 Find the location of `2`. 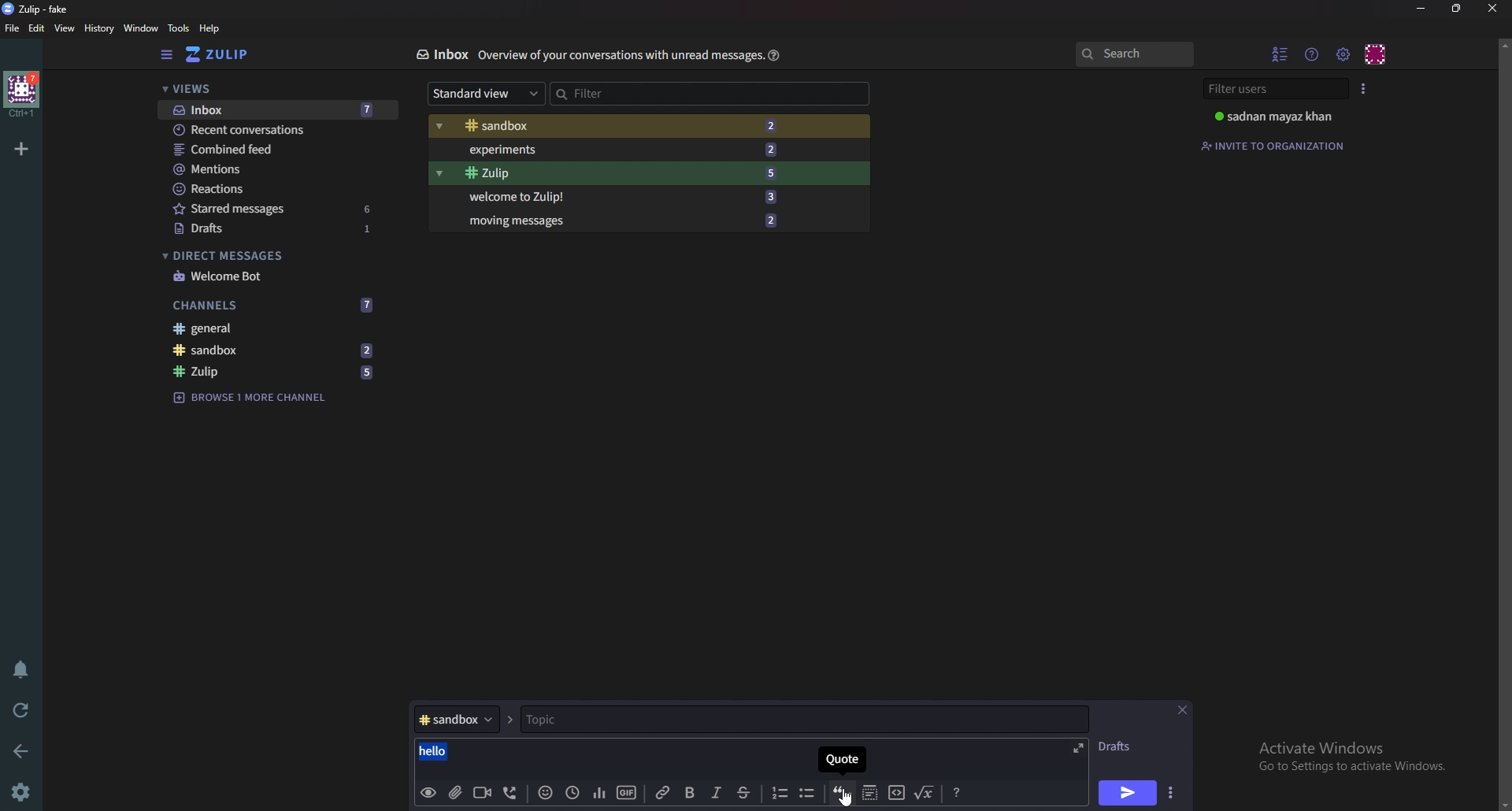

2 is located at coordinates (370, 350).